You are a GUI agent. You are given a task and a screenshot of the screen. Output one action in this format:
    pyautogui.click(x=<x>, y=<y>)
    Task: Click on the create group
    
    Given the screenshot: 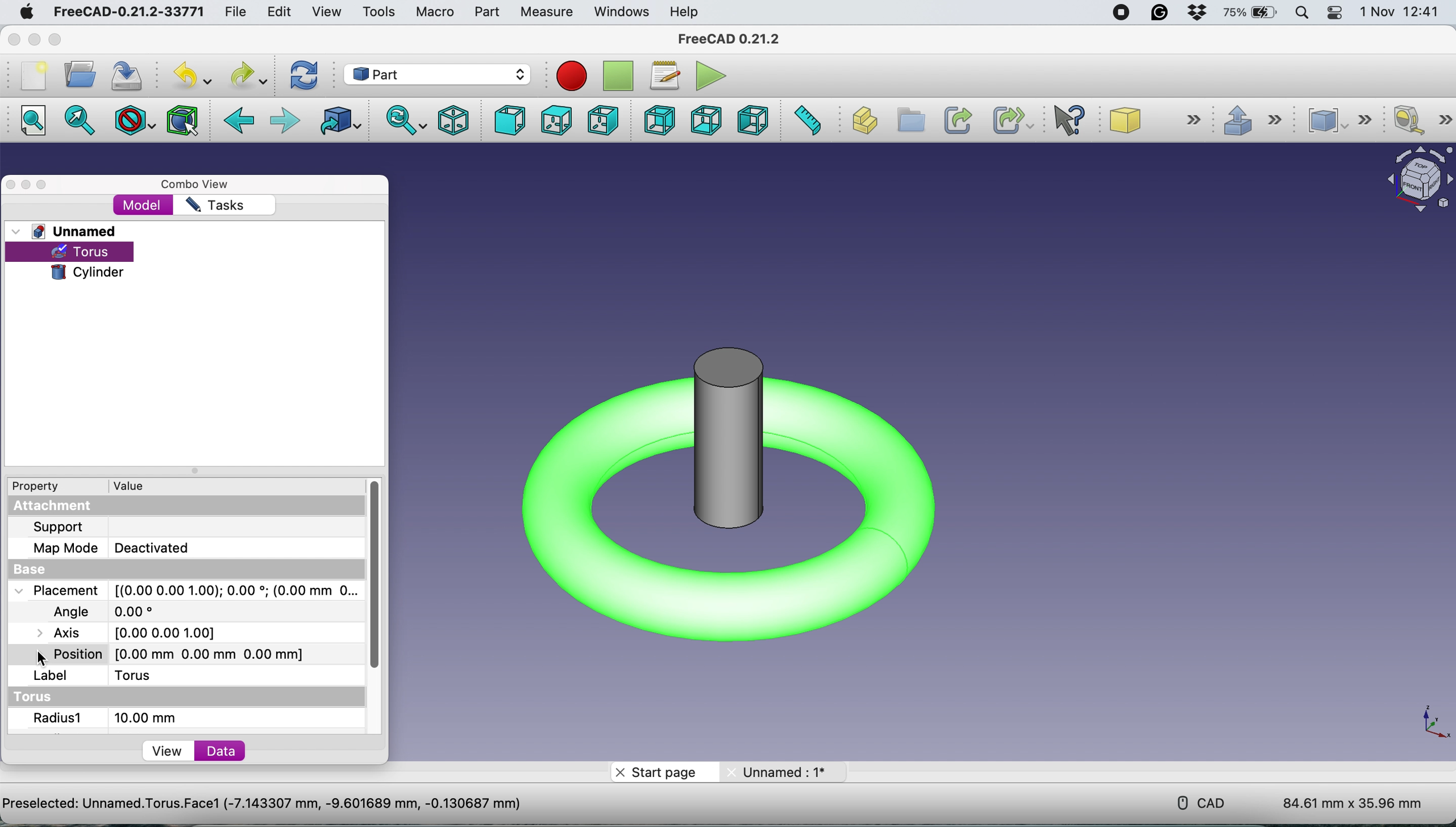 What is the action you would take?
    pyautogui.click(x=912, y=121)
    